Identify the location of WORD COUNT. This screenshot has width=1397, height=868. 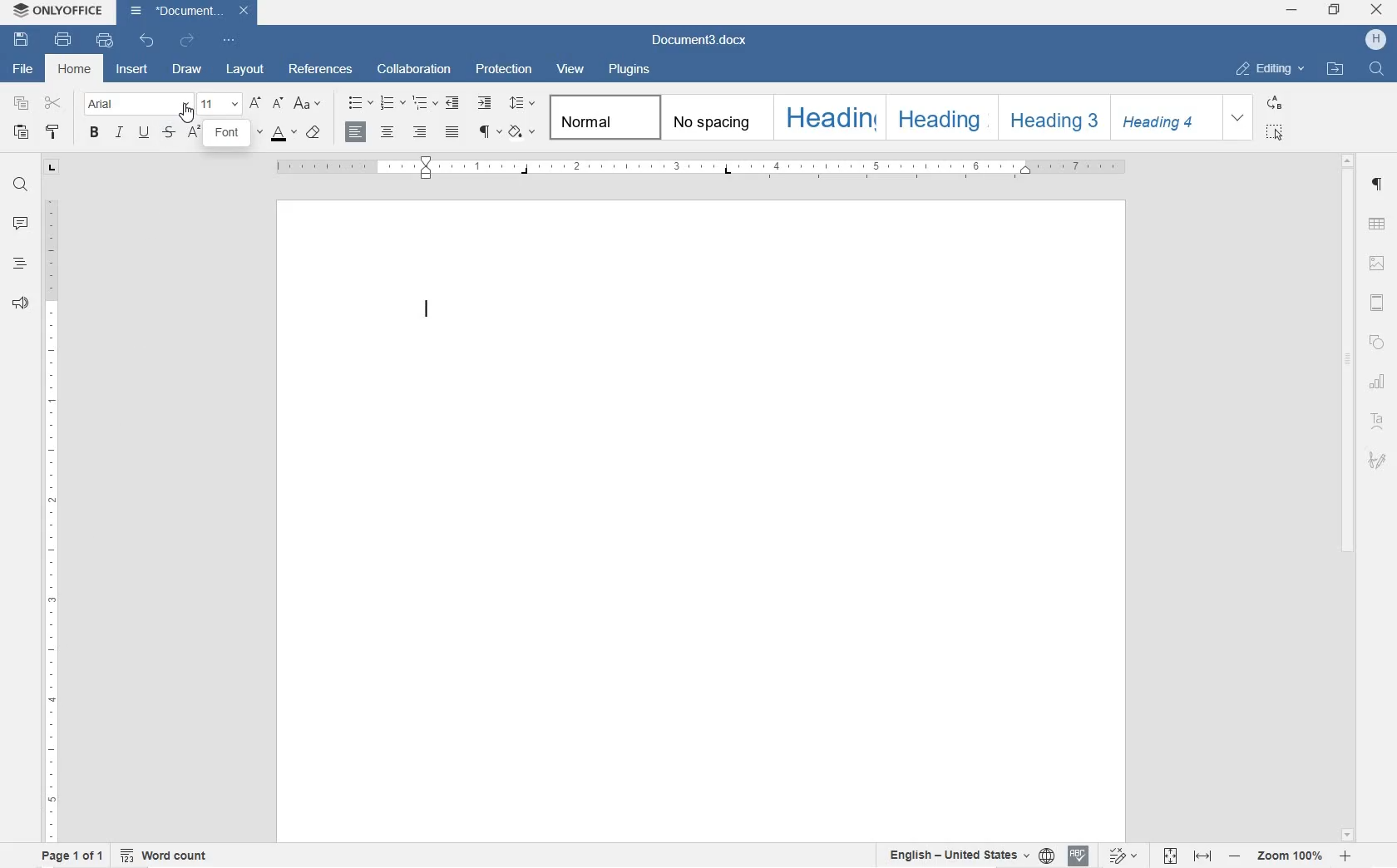
(165, 855).